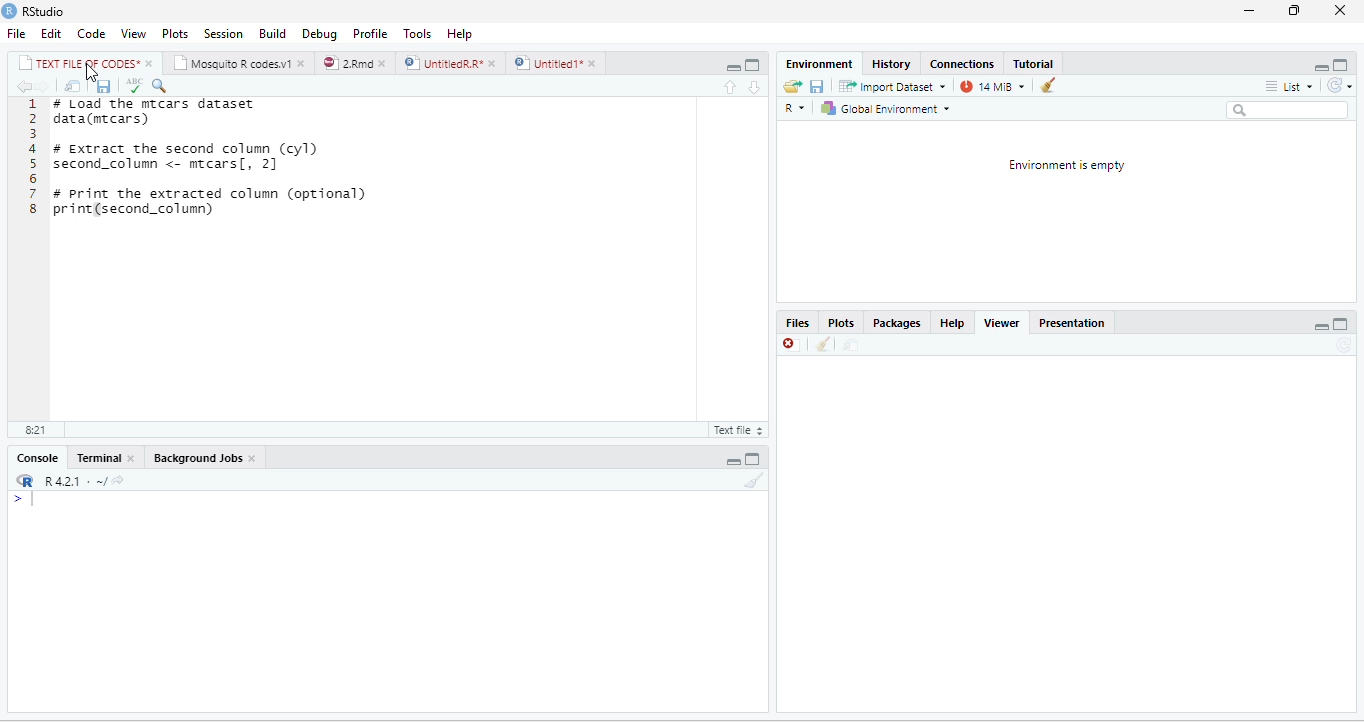  Describe the element at coordinates (755, 87) in the screenshot. I see `downward` at that location.